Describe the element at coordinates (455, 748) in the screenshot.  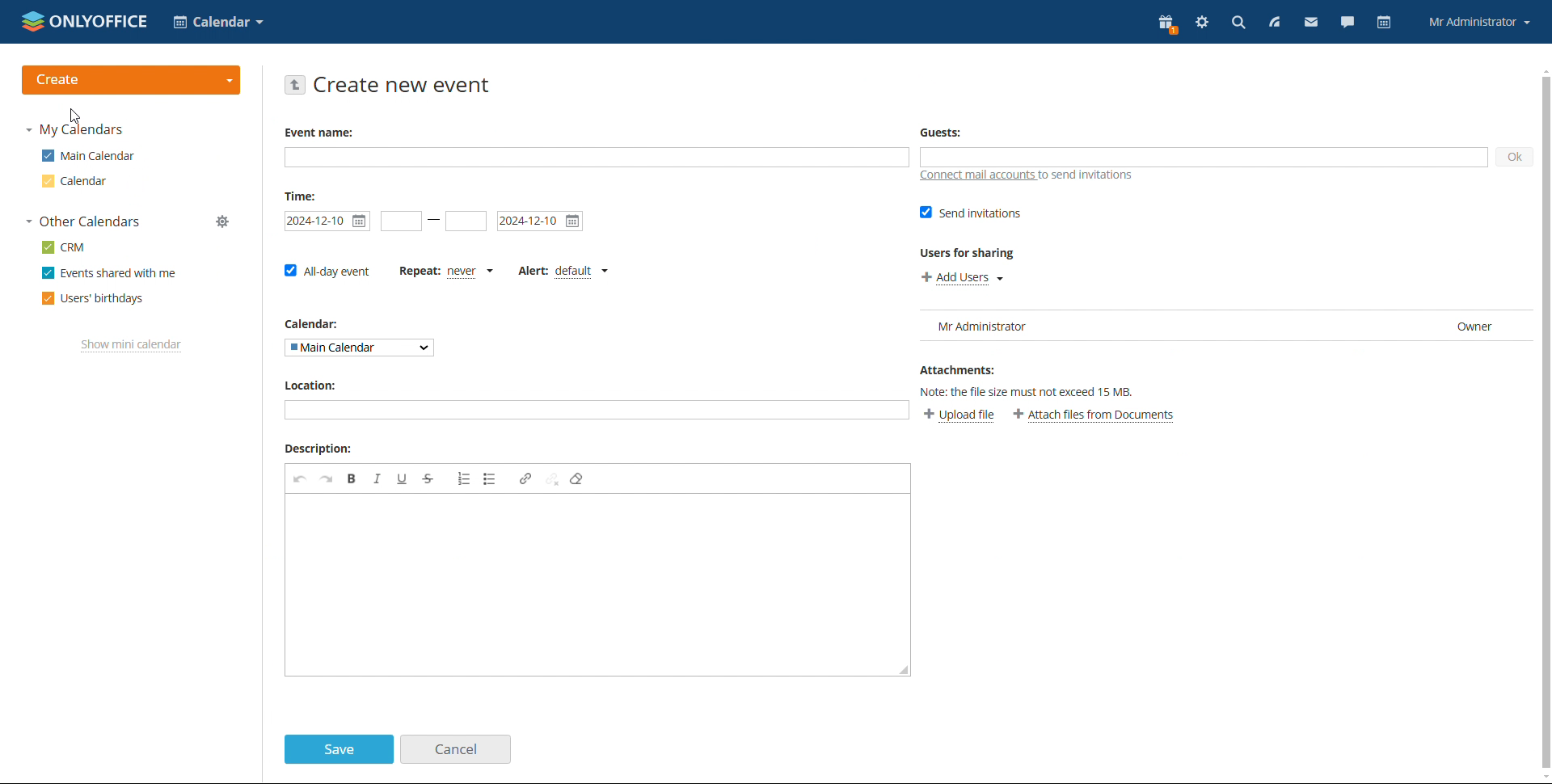
I see `cancel` at that location.